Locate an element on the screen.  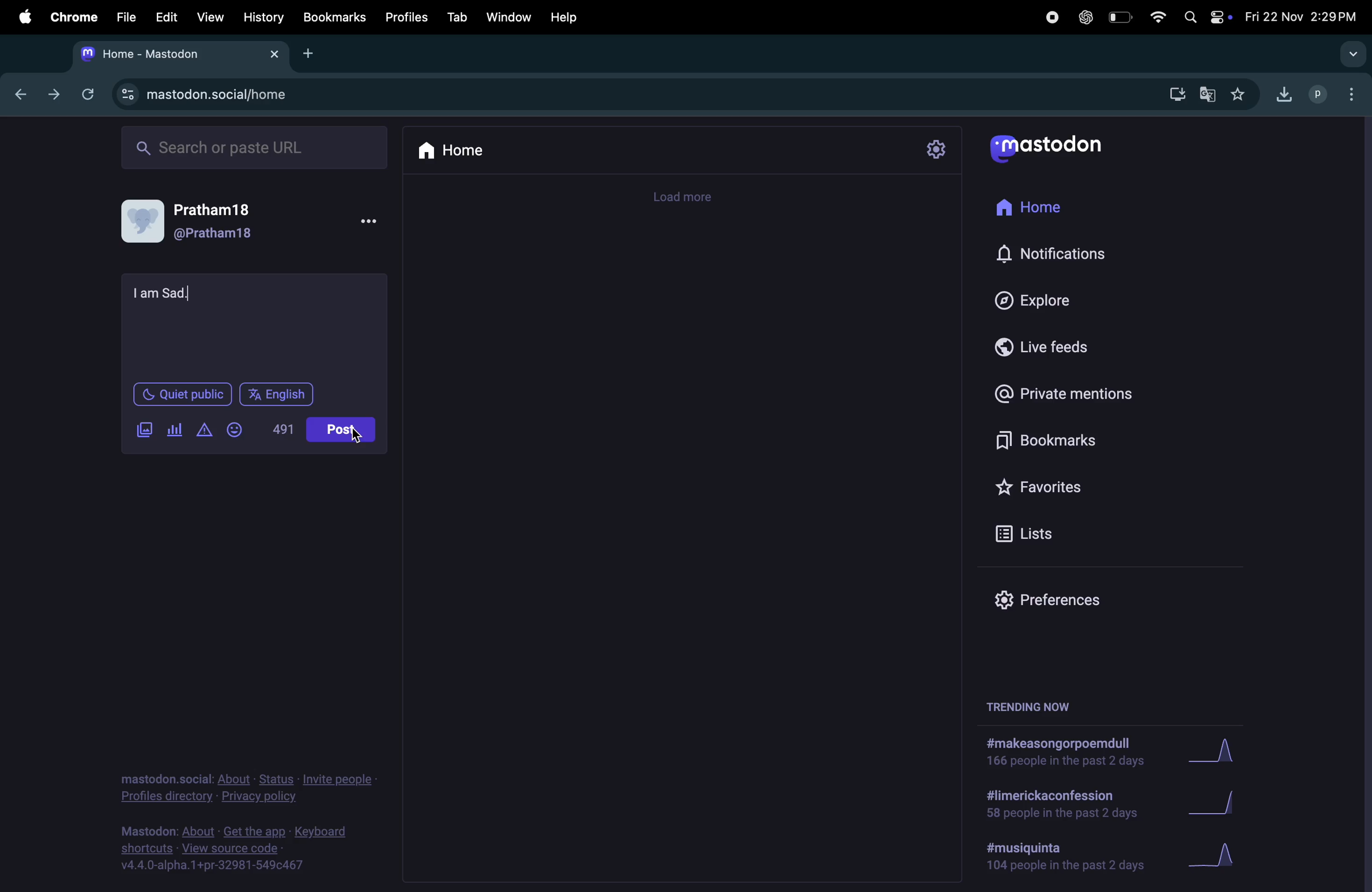
cursor is located at coordinates (355, 434).